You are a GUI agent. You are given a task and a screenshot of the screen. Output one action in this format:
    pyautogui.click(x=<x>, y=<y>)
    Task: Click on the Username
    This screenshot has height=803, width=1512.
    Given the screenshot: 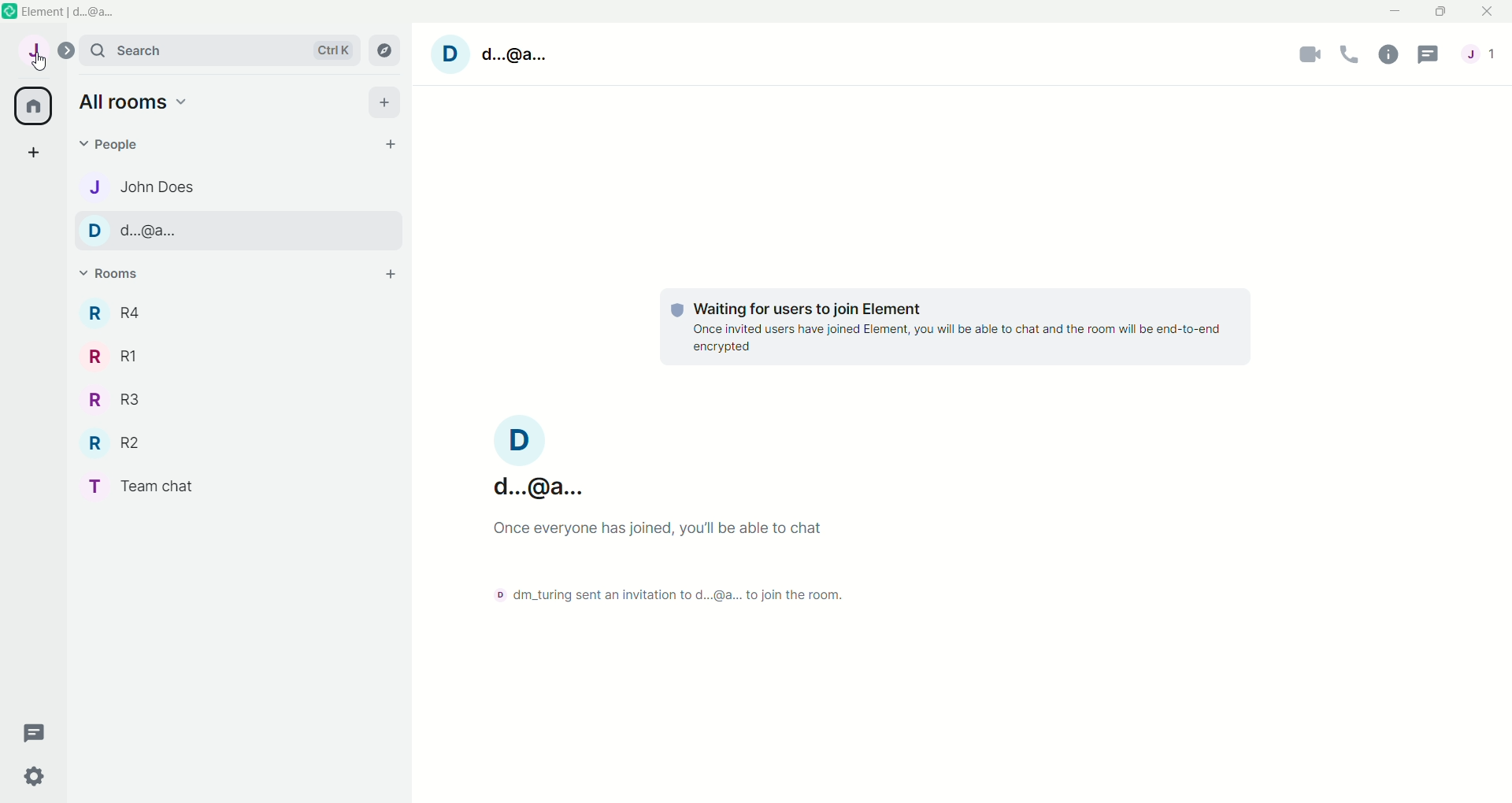 What is the action you would take?
    pyautogui.click(x=536, y=455)
    